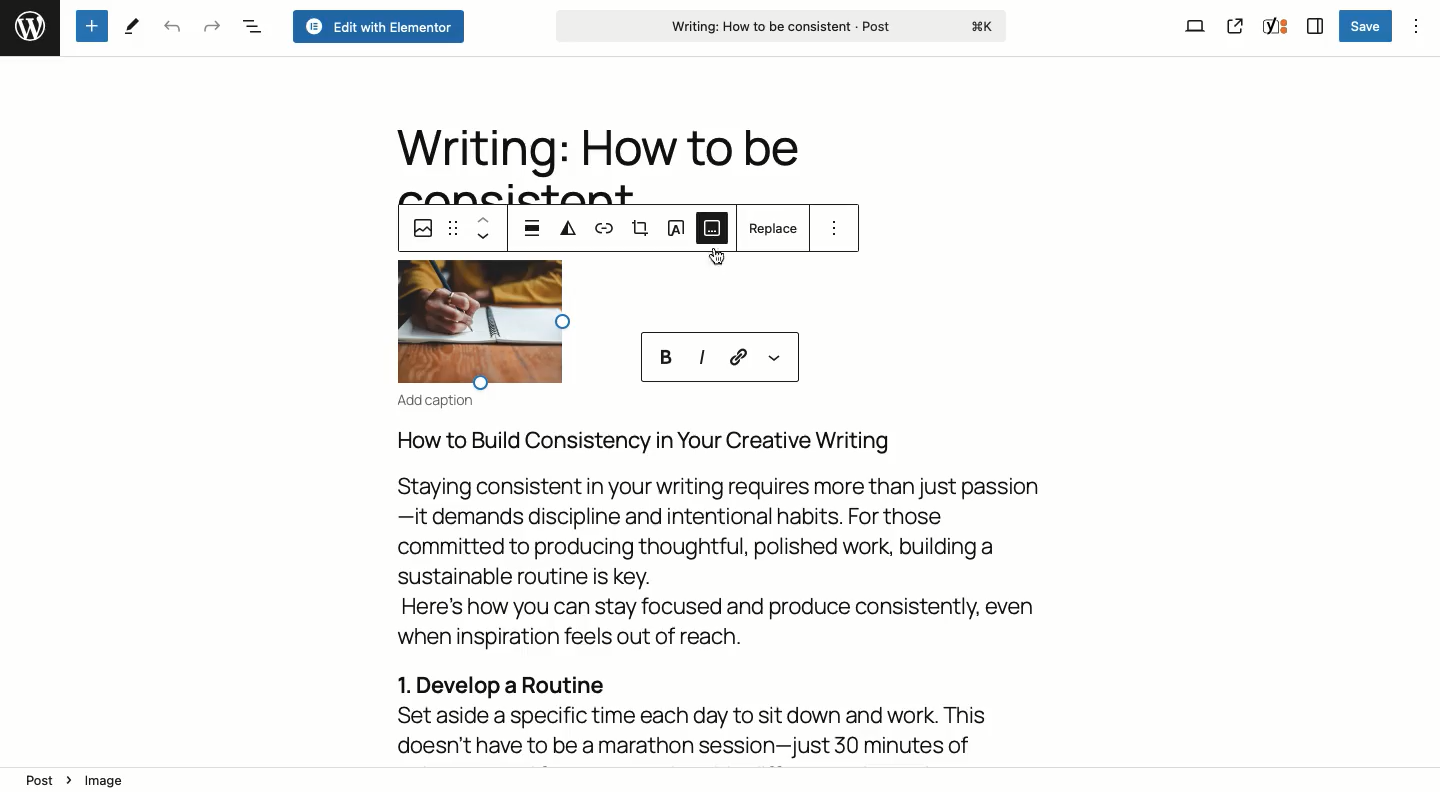 This screenshot has width=1440, height=792. I want to click on post, so click(40, 781).